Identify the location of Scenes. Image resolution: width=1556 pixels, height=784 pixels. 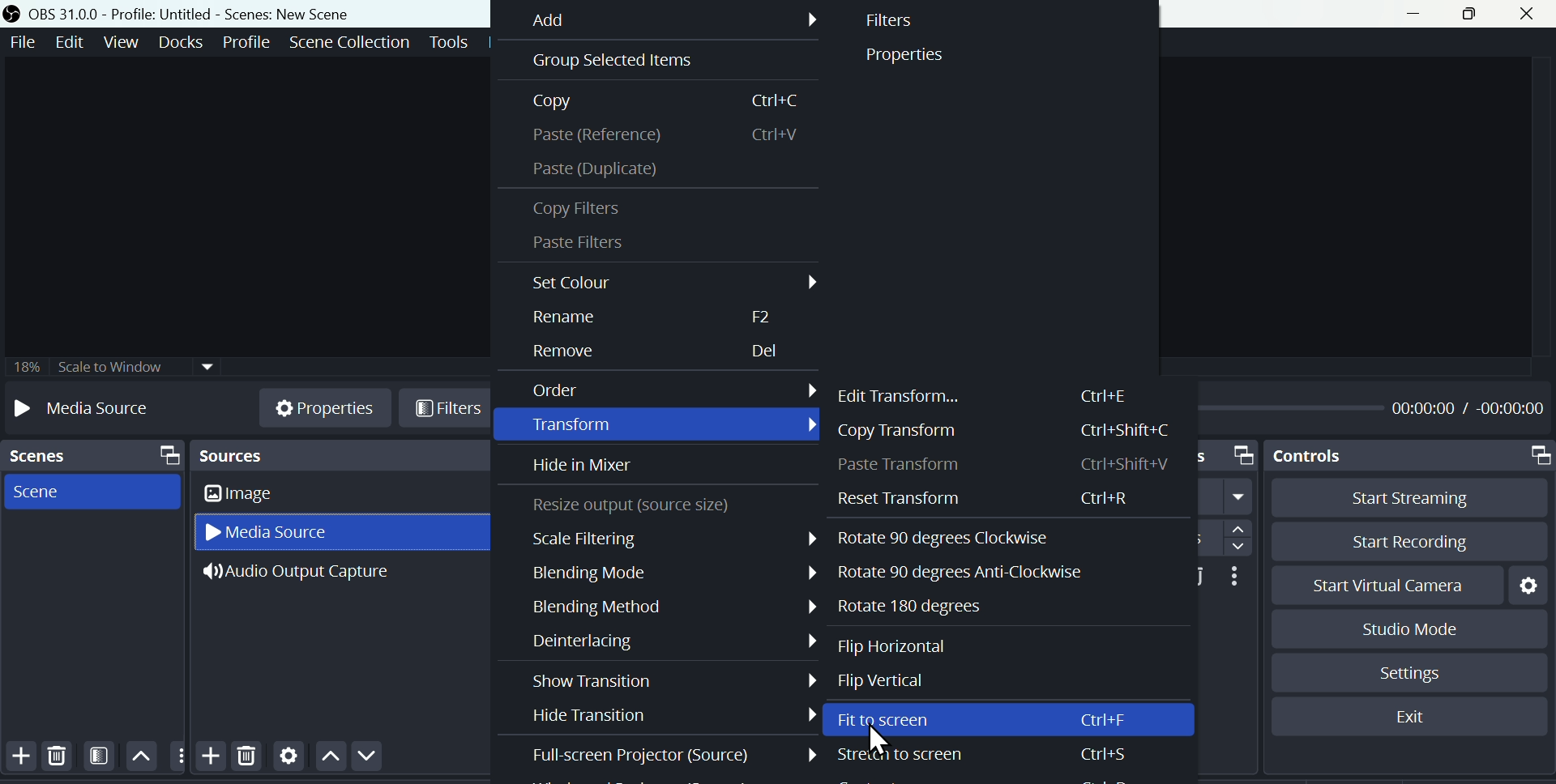
(91, 456).